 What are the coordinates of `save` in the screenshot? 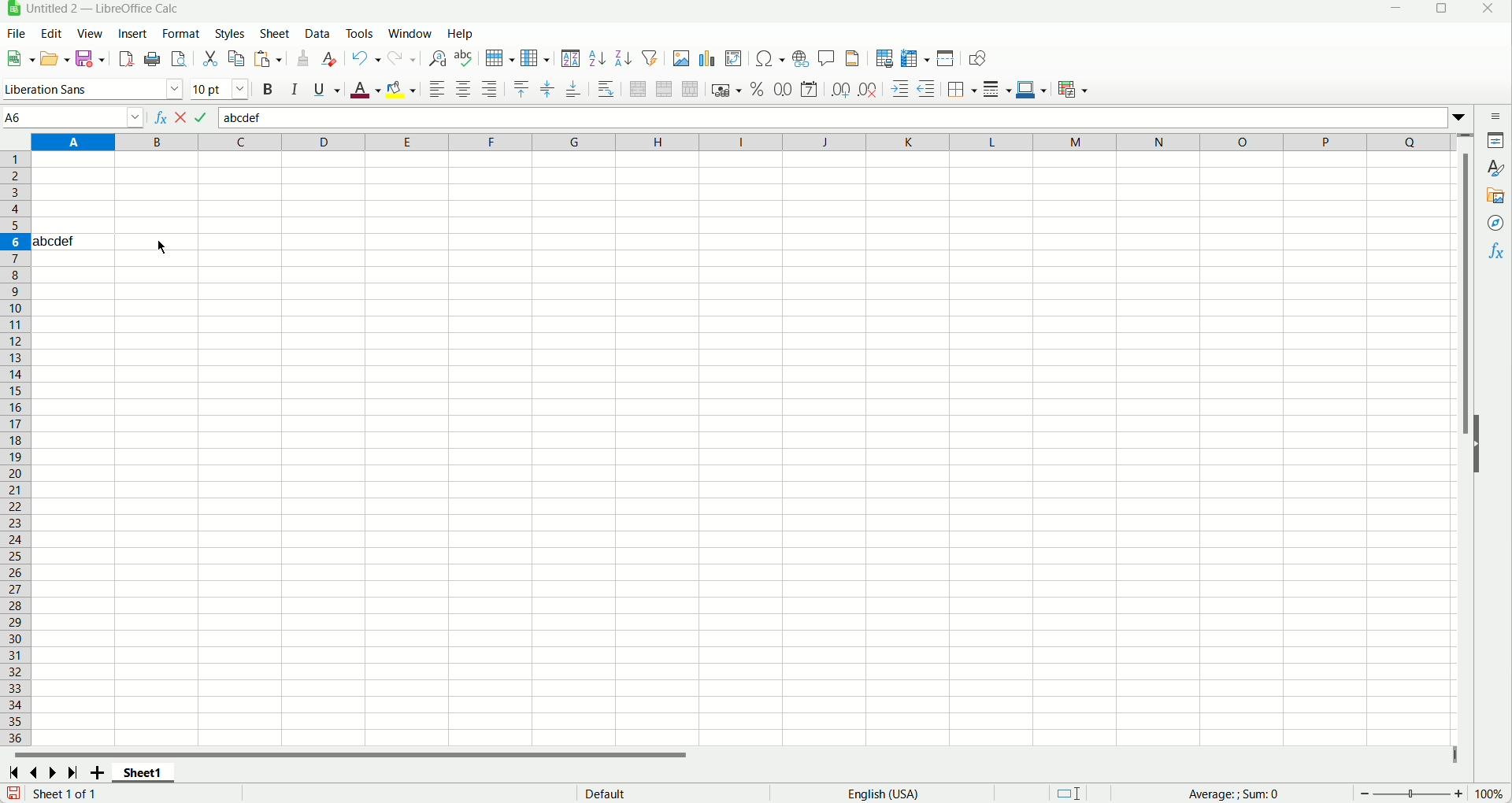 It's located at (14, 793).